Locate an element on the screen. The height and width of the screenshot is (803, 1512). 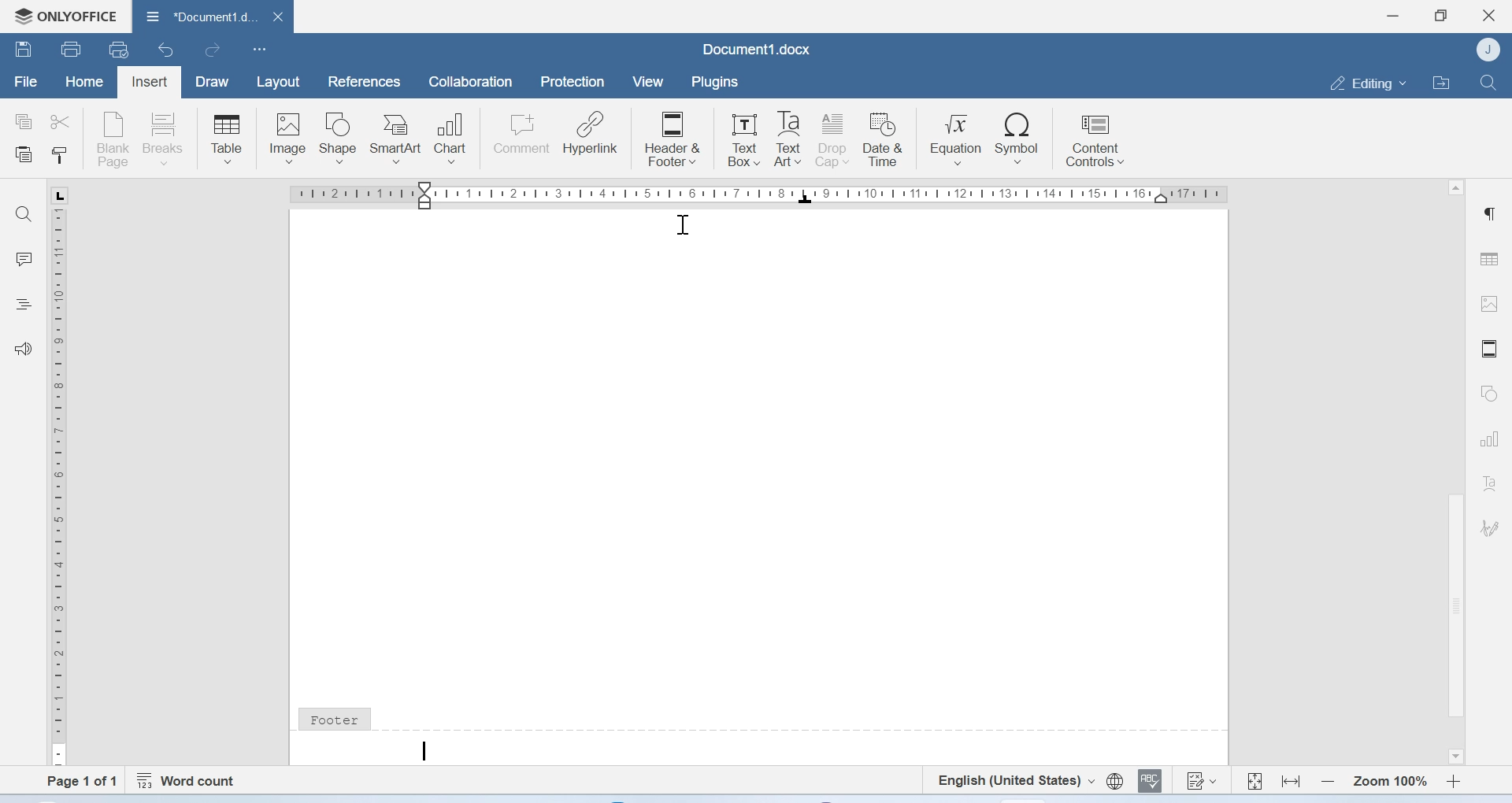
Copy style is located at coordinates (58, 157).